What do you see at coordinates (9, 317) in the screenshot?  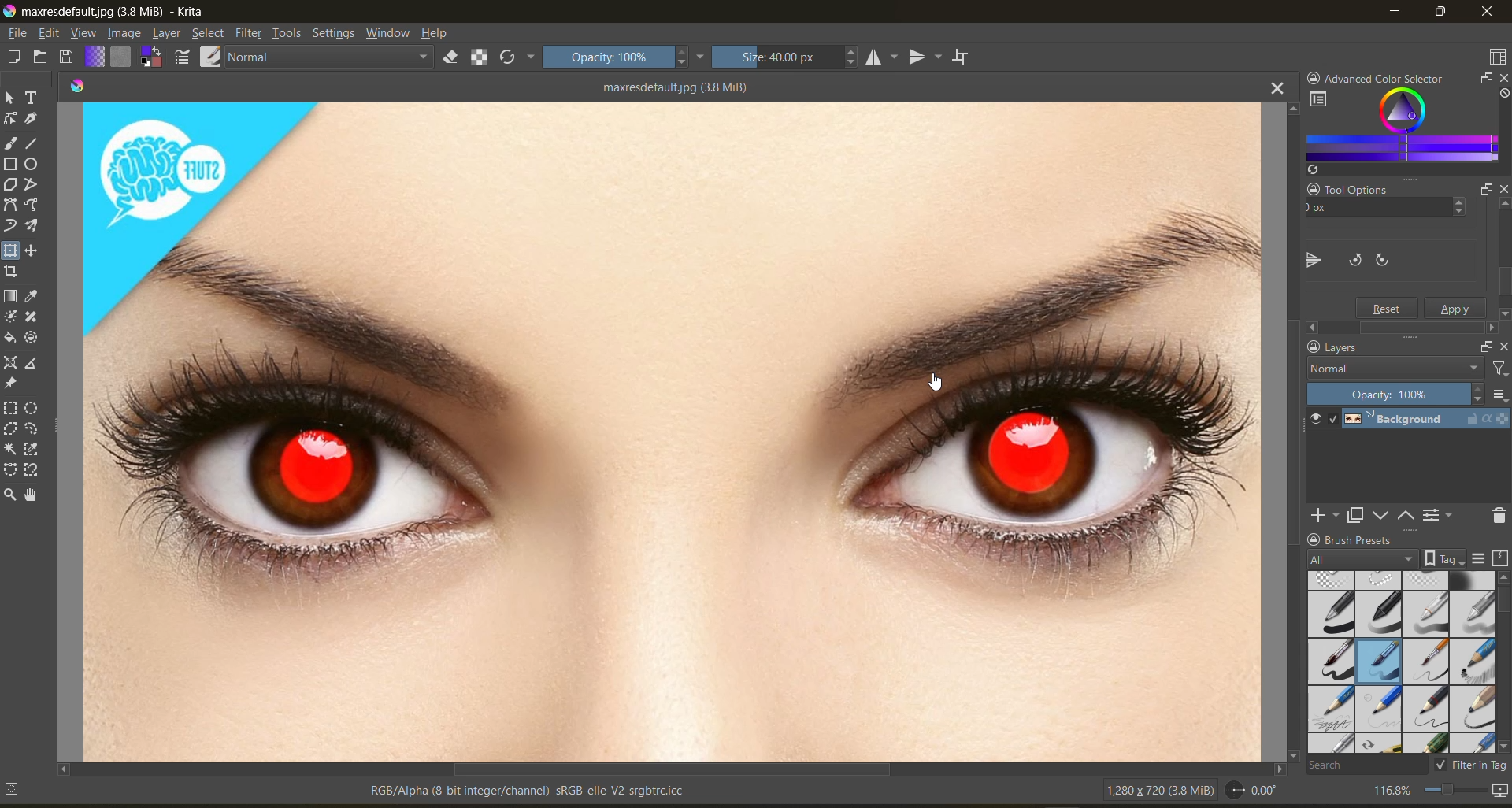 I see `tool` at bounding box center [9, 317].